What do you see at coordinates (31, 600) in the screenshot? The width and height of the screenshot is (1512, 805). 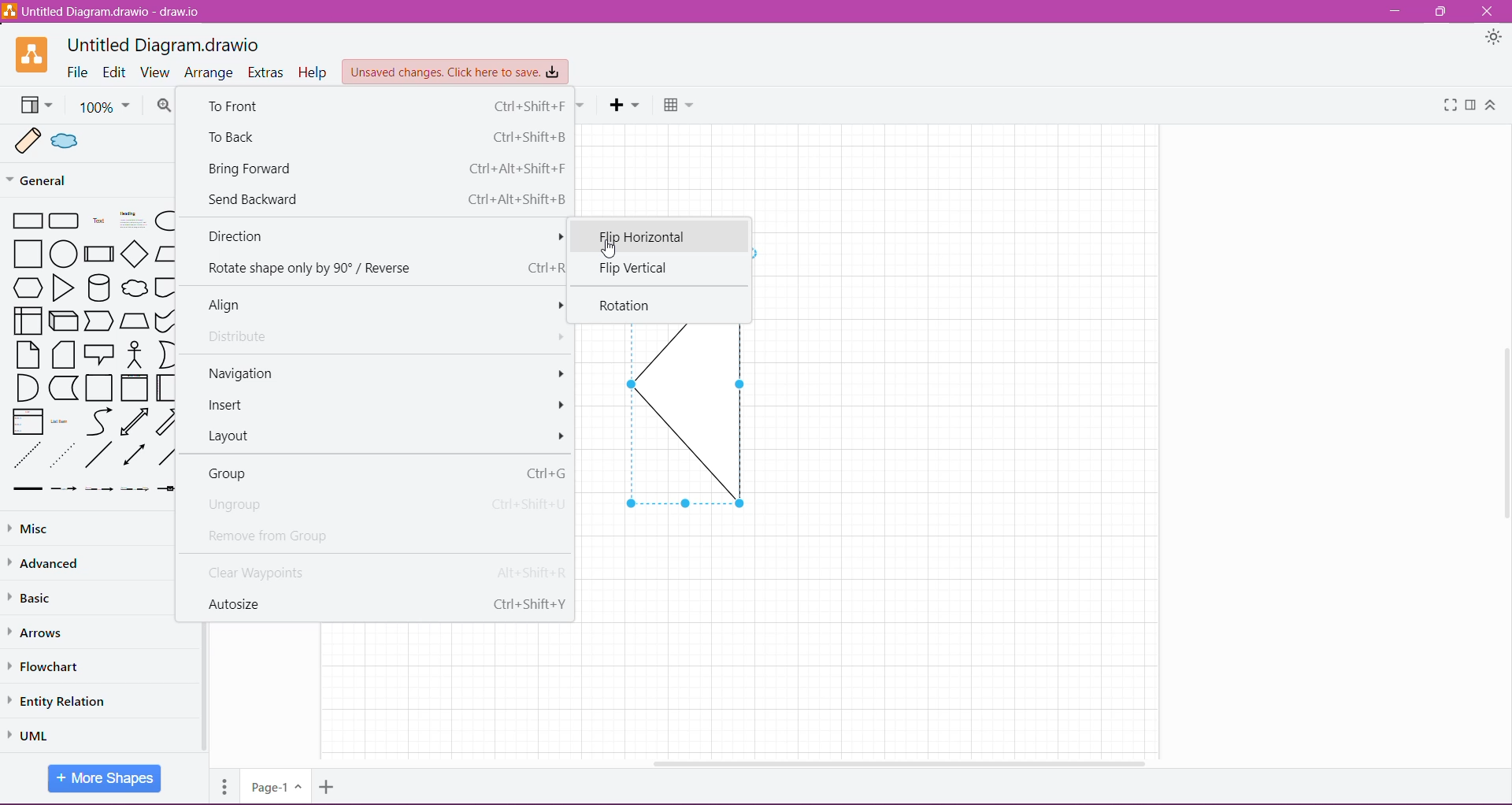 I see `Basic` at bounding box center [31, 600].